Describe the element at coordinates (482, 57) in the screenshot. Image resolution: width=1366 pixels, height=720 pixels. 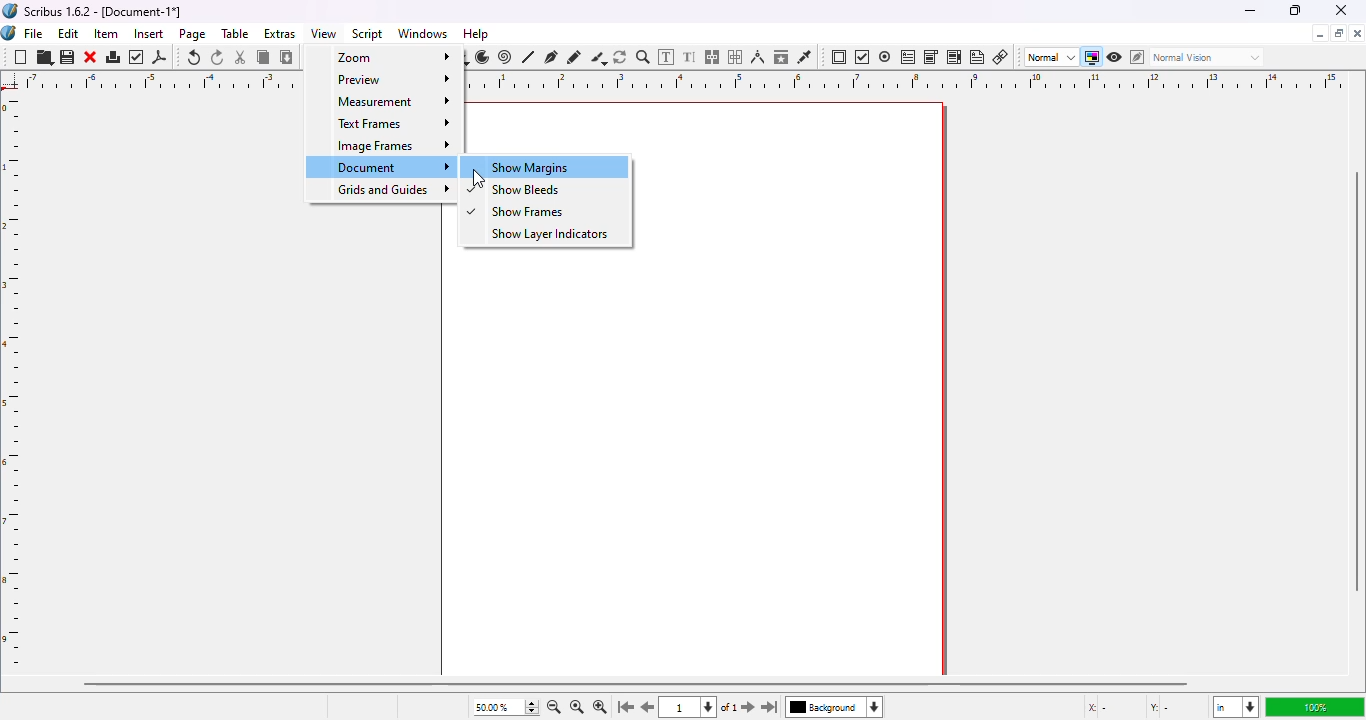
I see `arc` at that location.